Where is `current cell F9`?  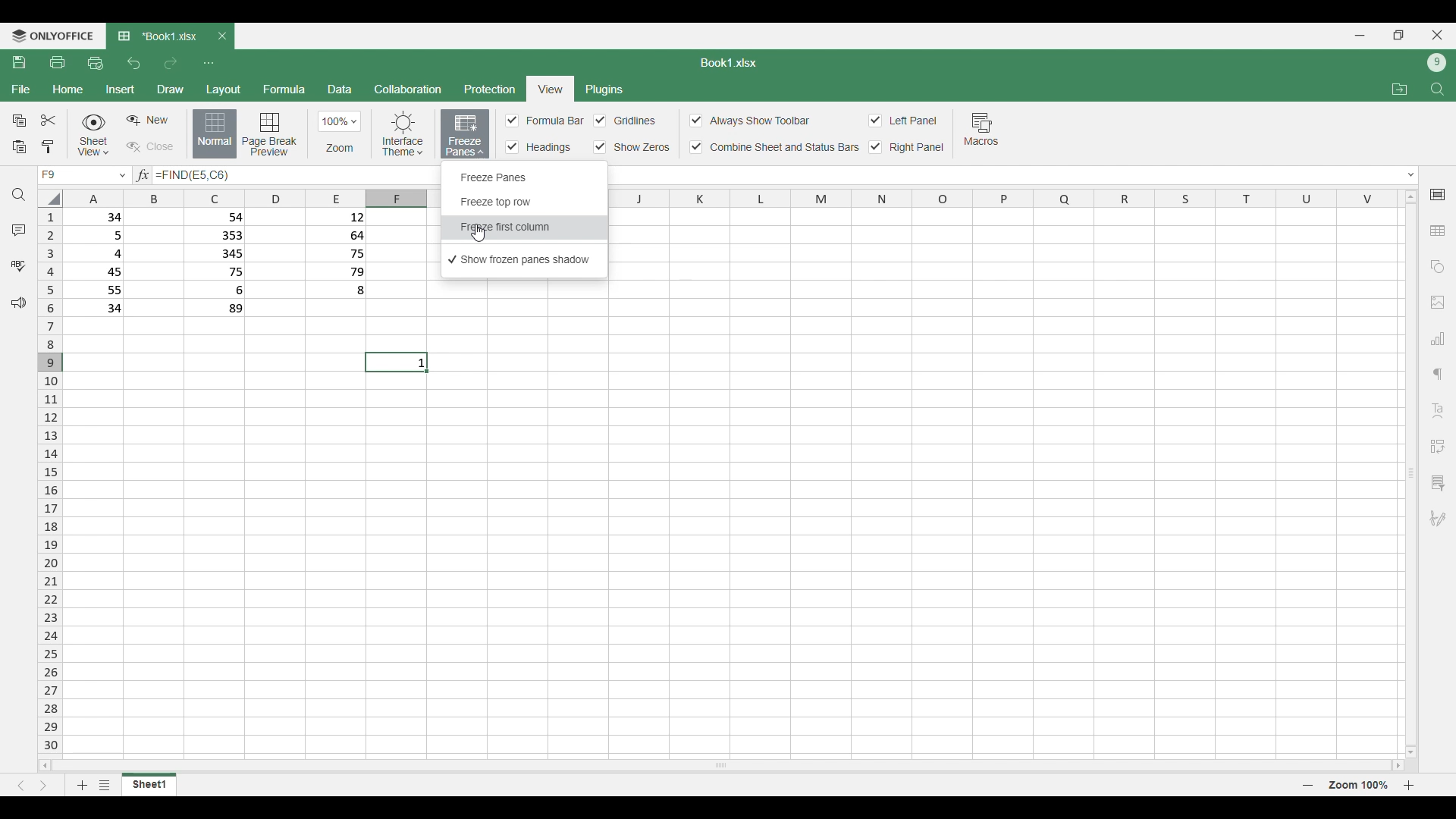 current cell F9 is located at coordinates (86, 175).